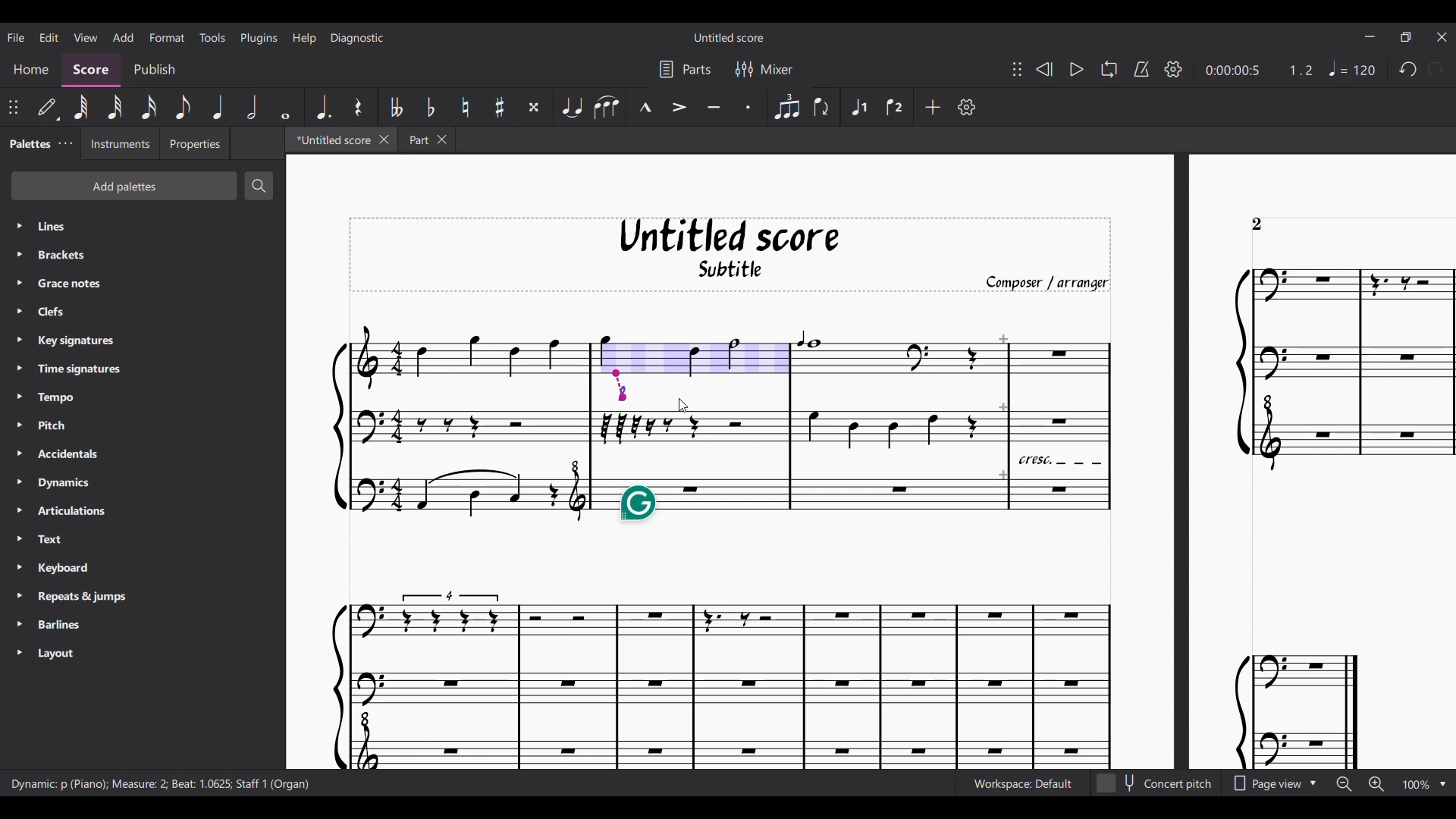 The height and width of the screenshot is (819, 1456). What do you see at coordinates (1406, 37) in the screenshot?
I see `Show interface in a smaller tab` at bounding box center [1406, 37].